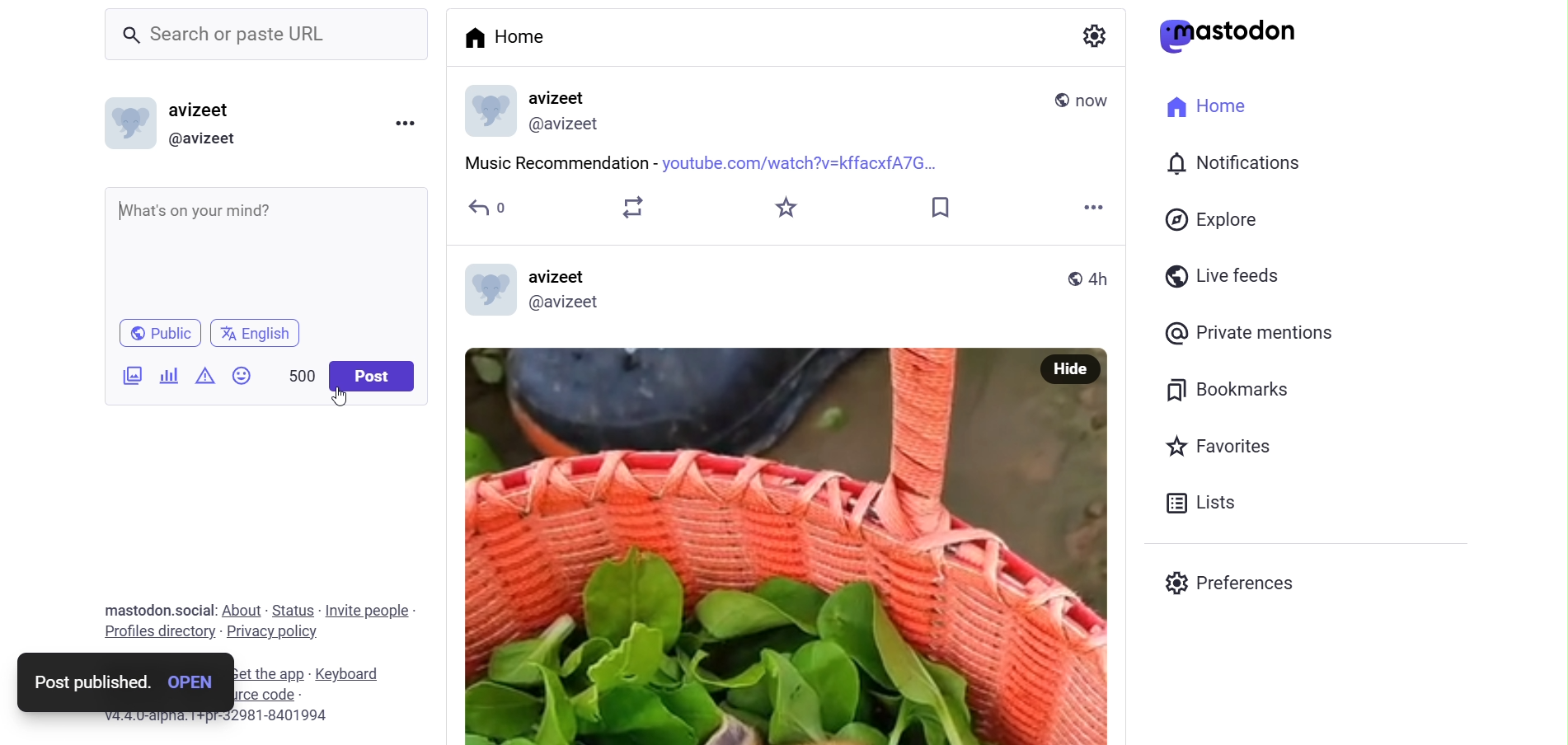 Image resolution: width=1568 pixels, height=745 pixels. I want to click on invite people, so click(373, 608).